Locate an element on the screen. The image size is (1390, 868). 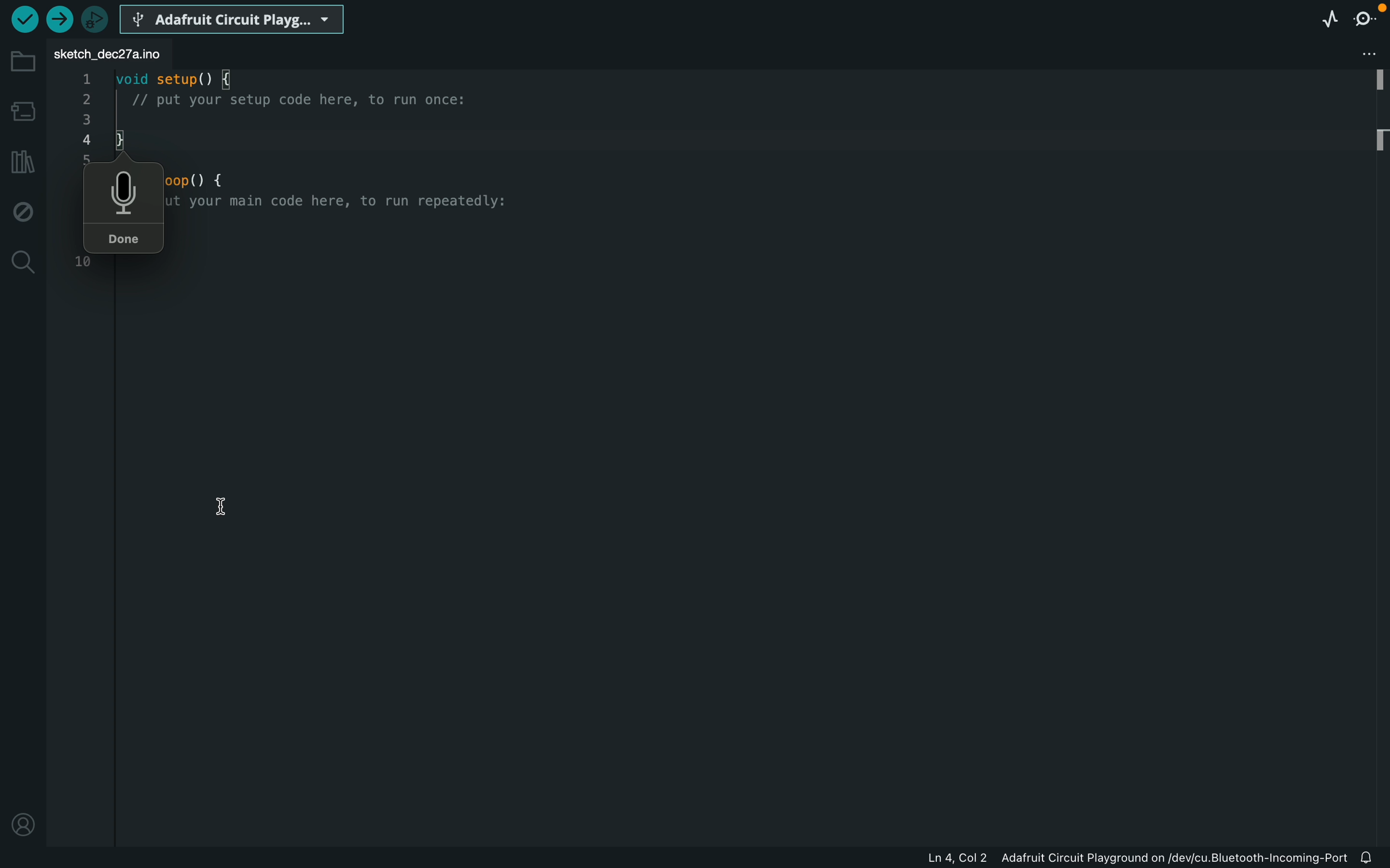
line numbers is located at coordinates (83, 111).